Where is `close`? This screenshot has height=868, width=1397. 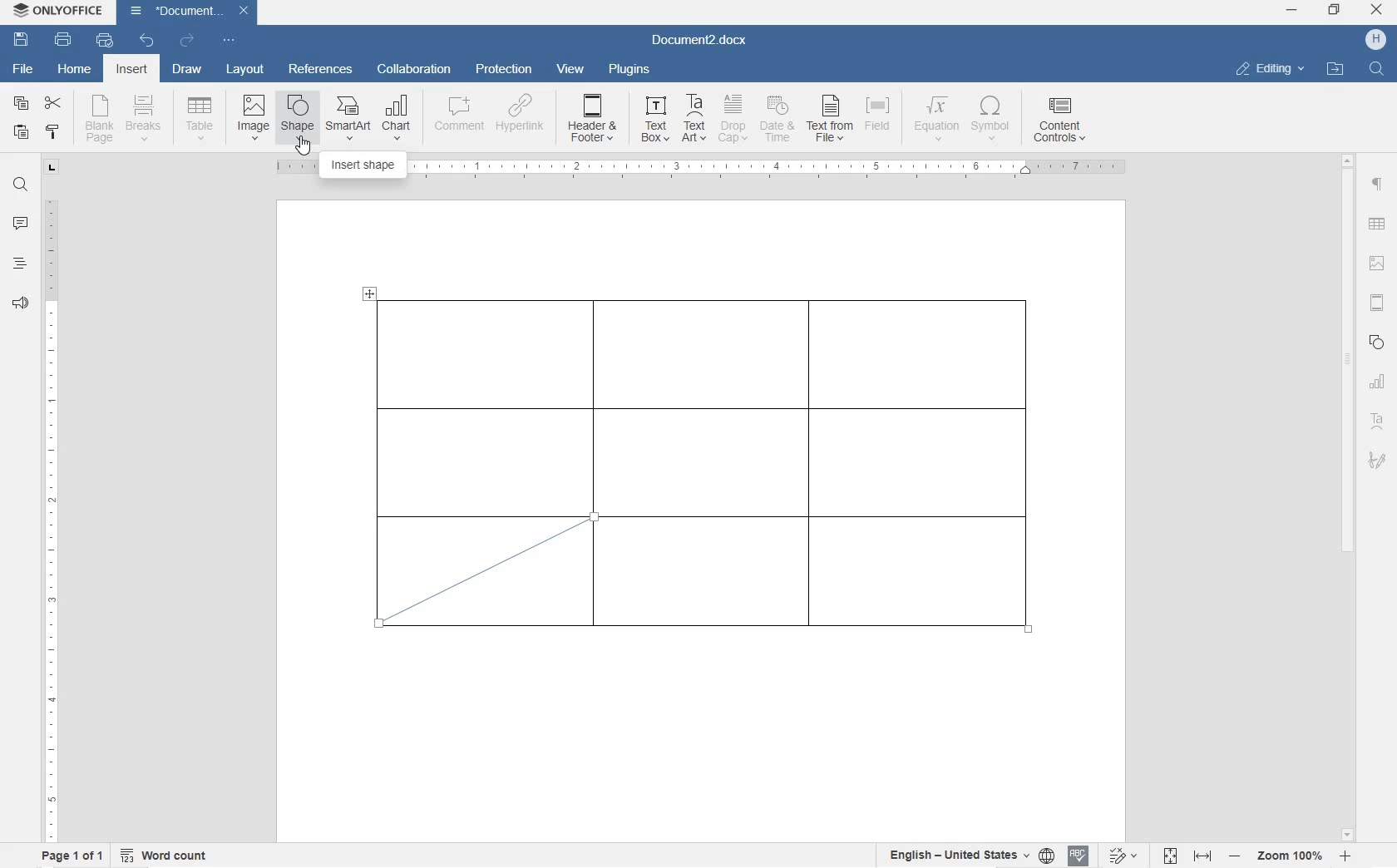 close is located at coordinates (1376, 11).